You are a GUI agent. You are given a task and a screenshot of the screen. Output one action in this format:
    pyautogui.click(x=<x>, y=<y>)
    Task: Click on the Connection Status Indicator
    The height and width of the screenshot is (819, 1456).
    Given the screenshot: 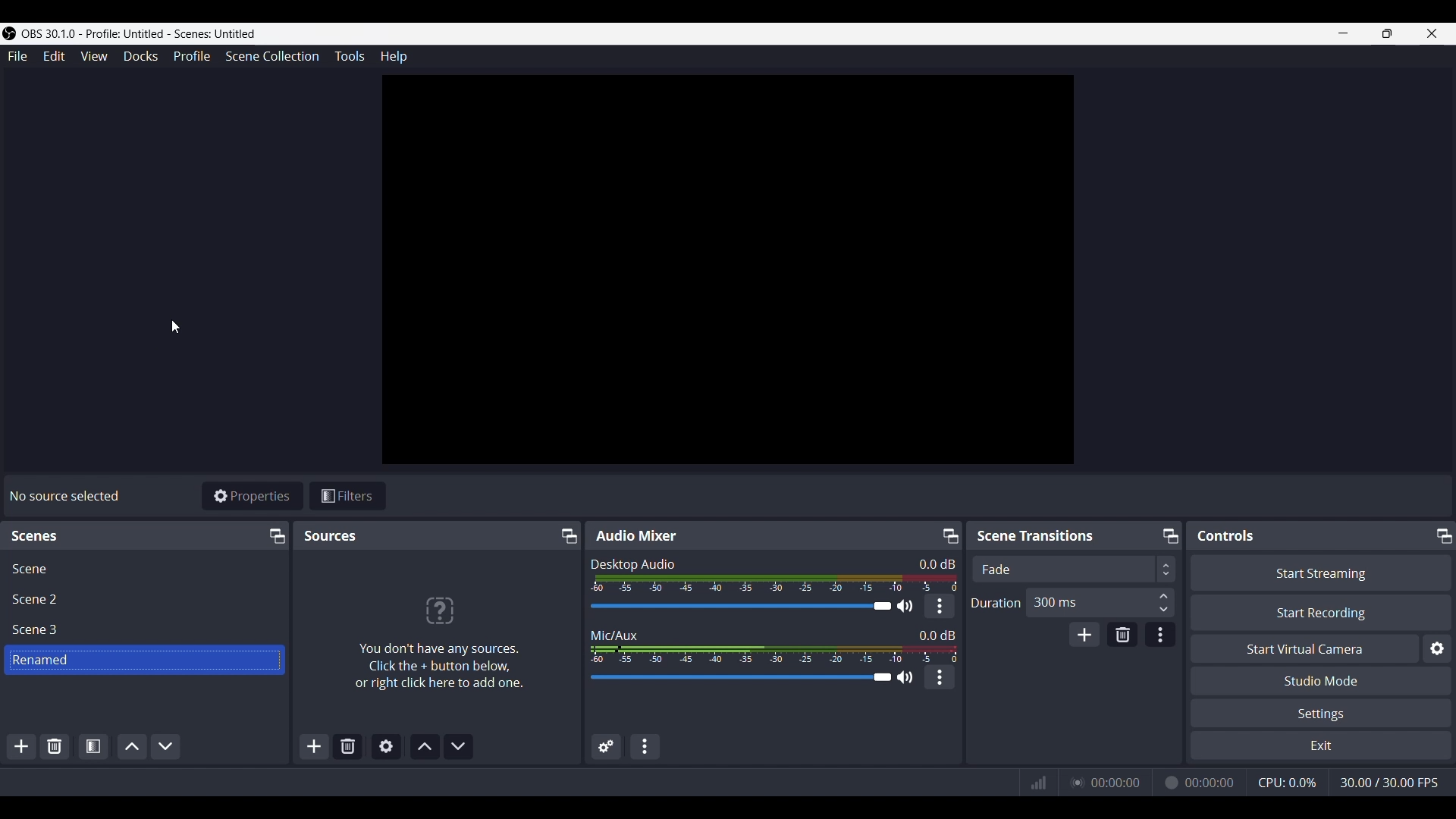 What is the action you would take?
    pyautogui.click(x=1038, y=783)
    